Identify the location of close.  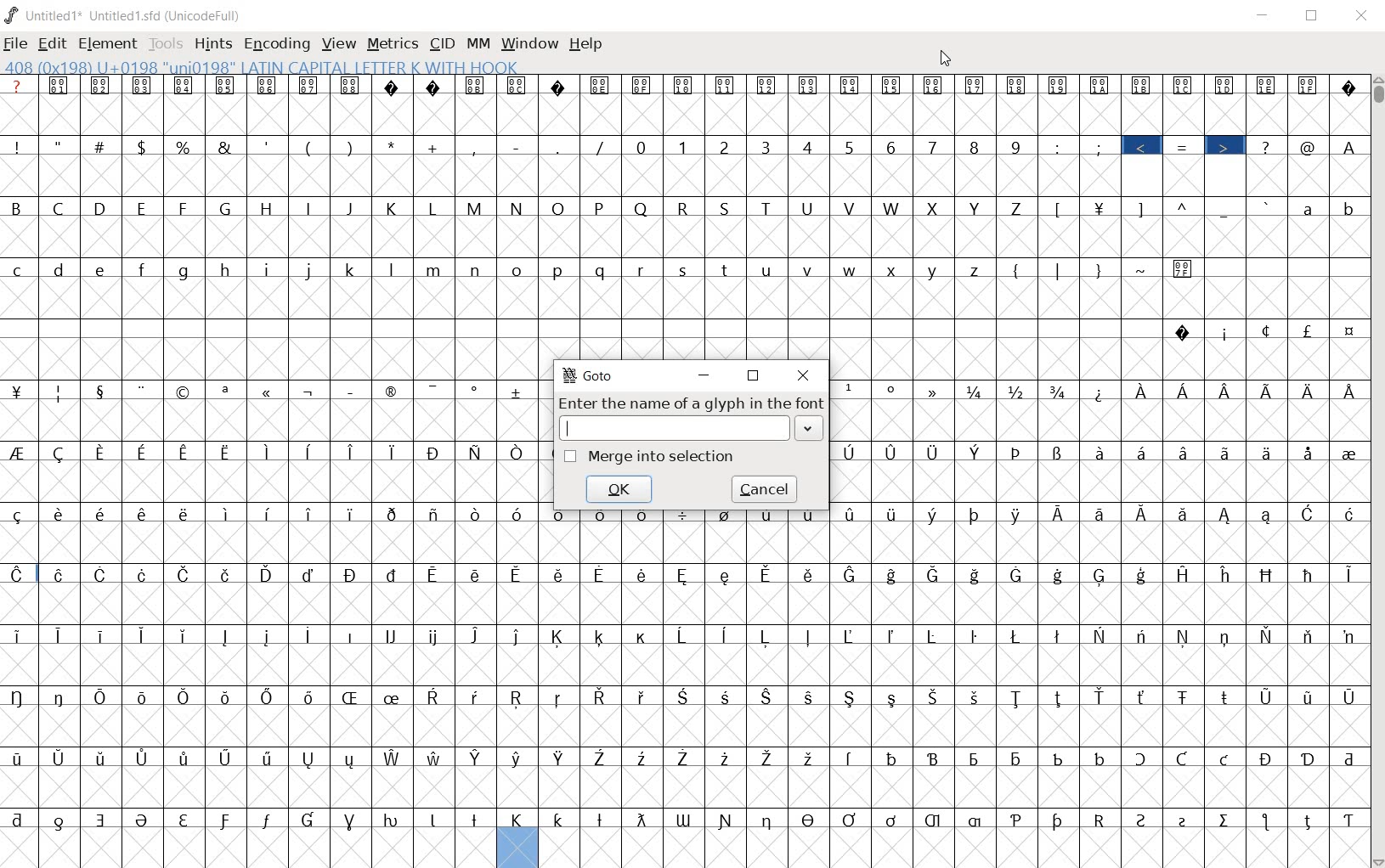
(804, 376).